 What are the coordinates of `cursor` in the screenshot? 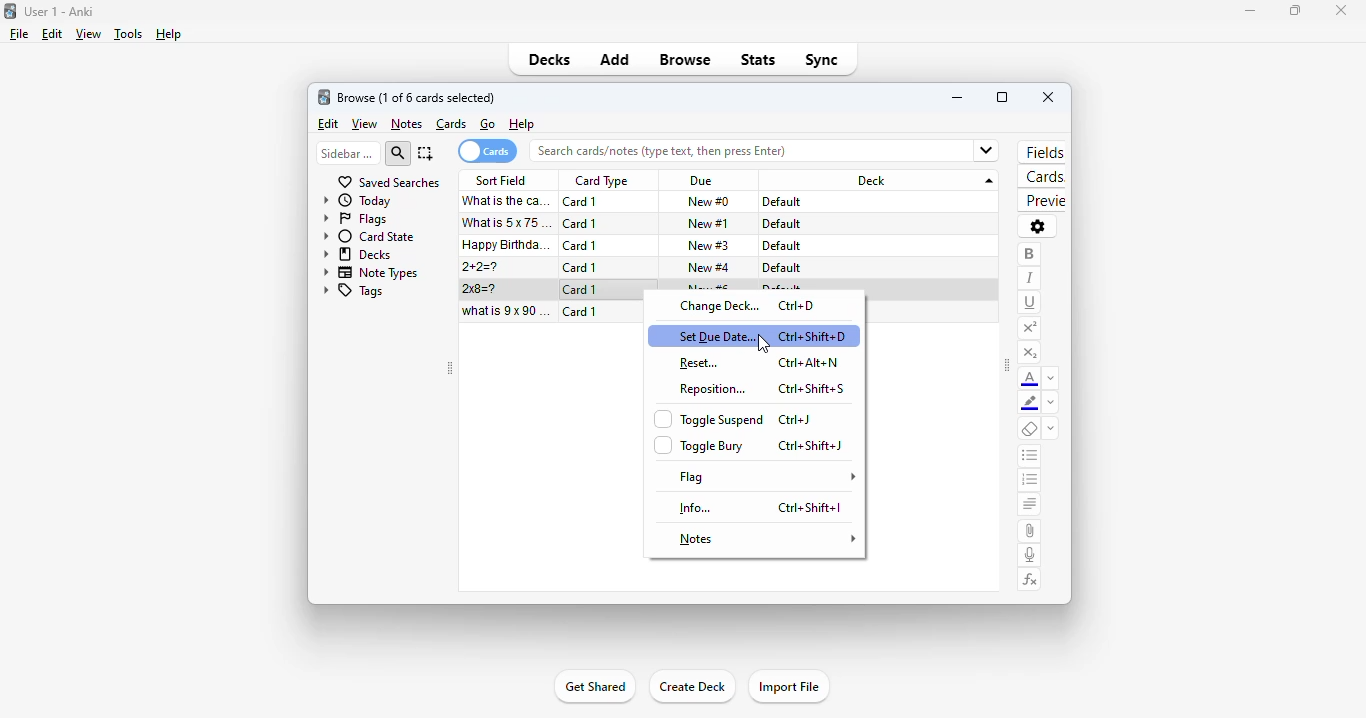 It's located at (765, 345).